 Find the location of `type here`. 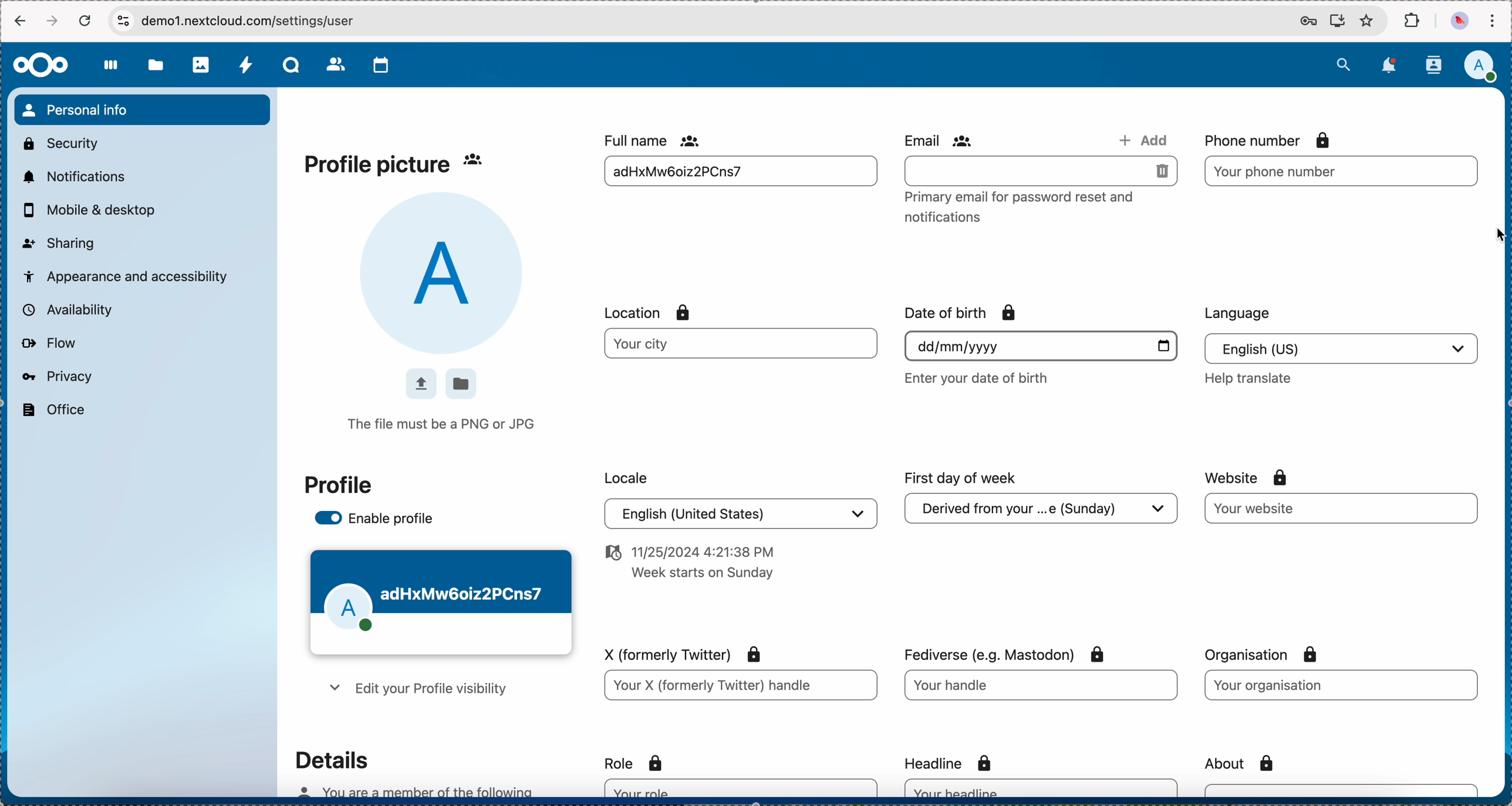

type here is located at coordinates (1042, 788).